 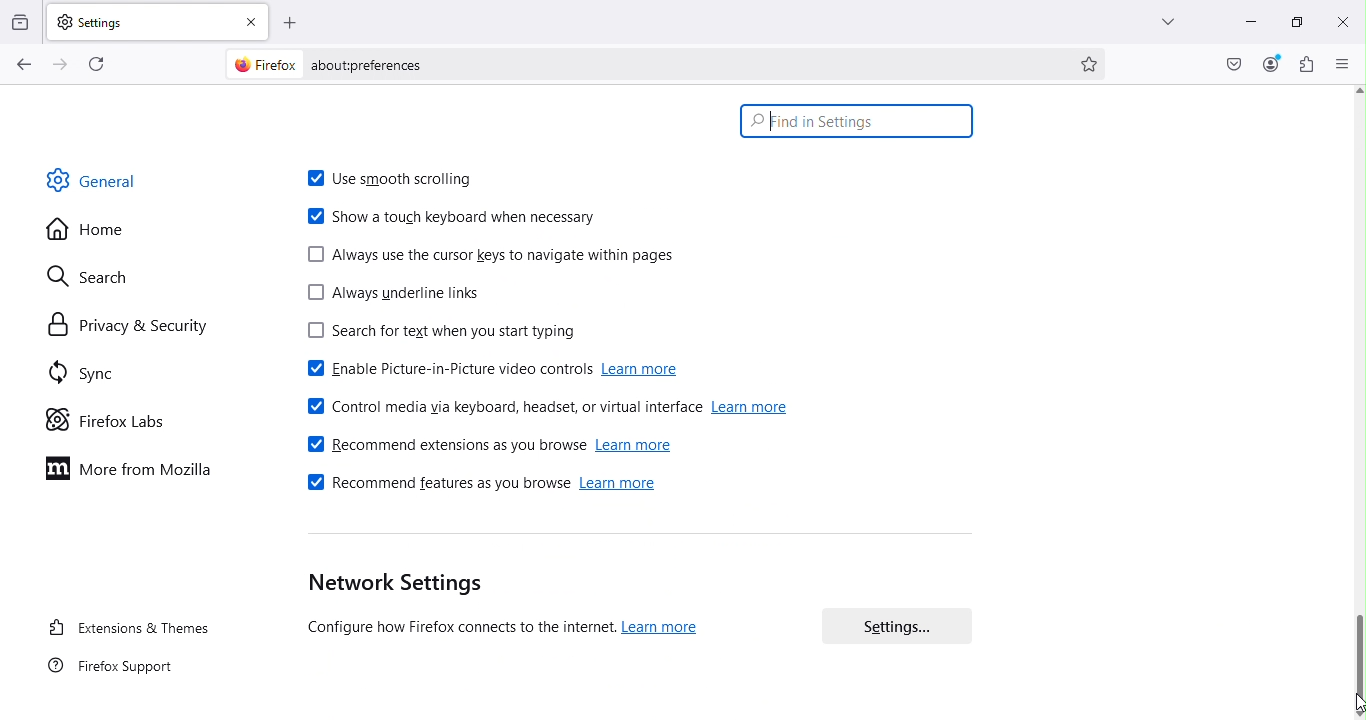 I want to click on View recent browsing across windows and devices, so click(x=21, y=18).